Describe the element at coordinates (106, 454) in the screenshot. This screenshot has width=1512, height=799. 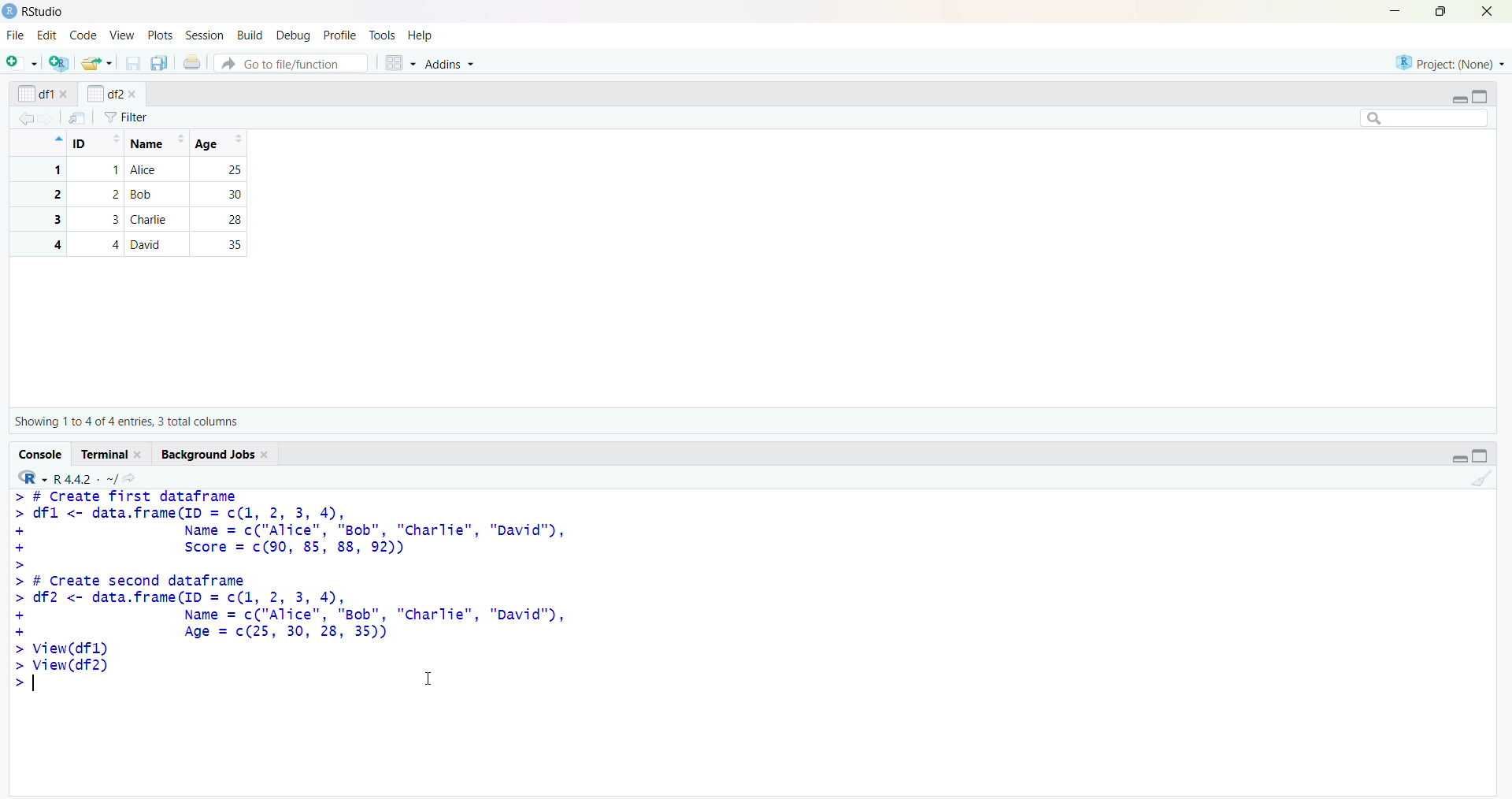
I see `Terminal` at that location.